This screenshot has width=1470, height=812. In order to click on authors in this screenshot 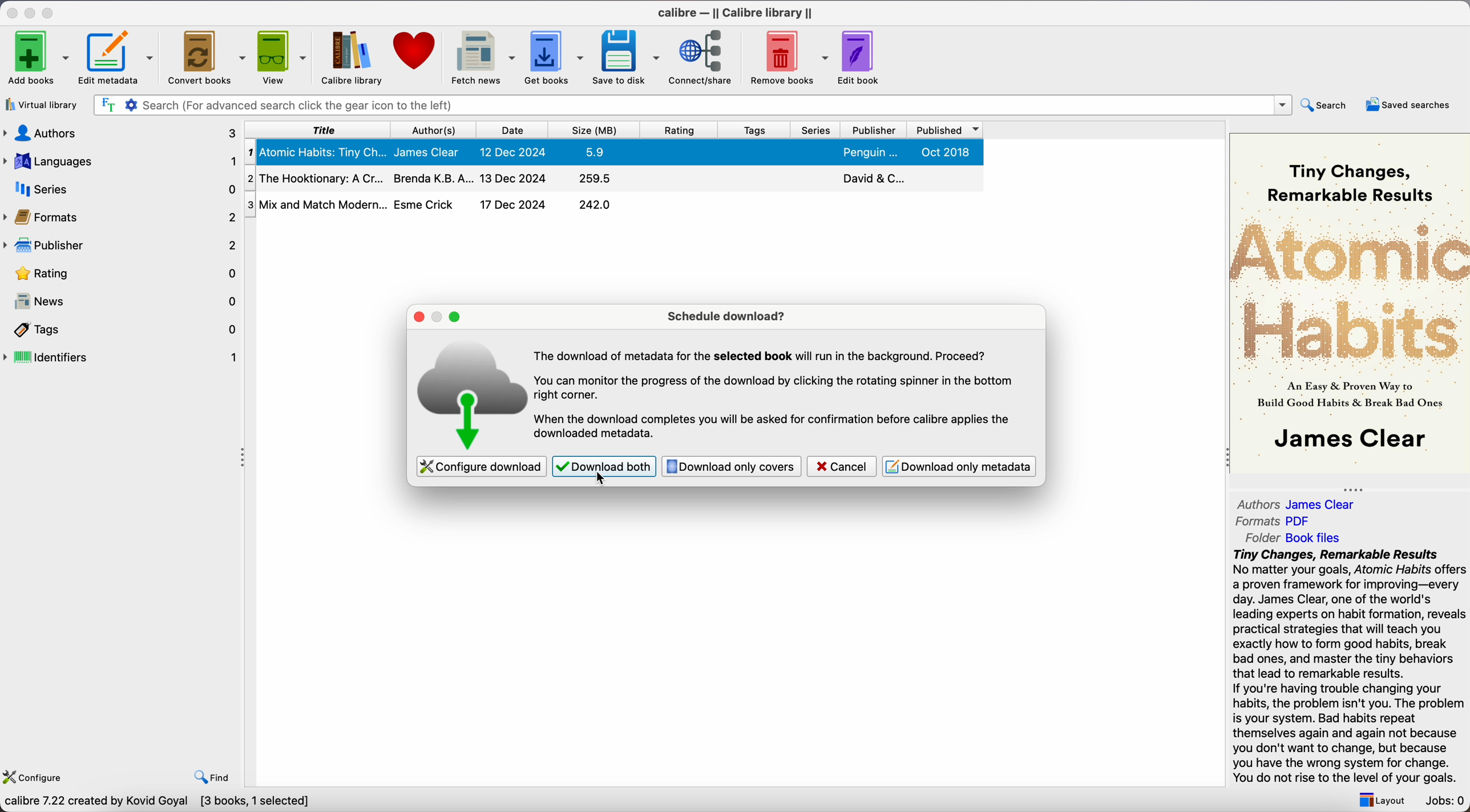, I will do `click(122, 132)`.